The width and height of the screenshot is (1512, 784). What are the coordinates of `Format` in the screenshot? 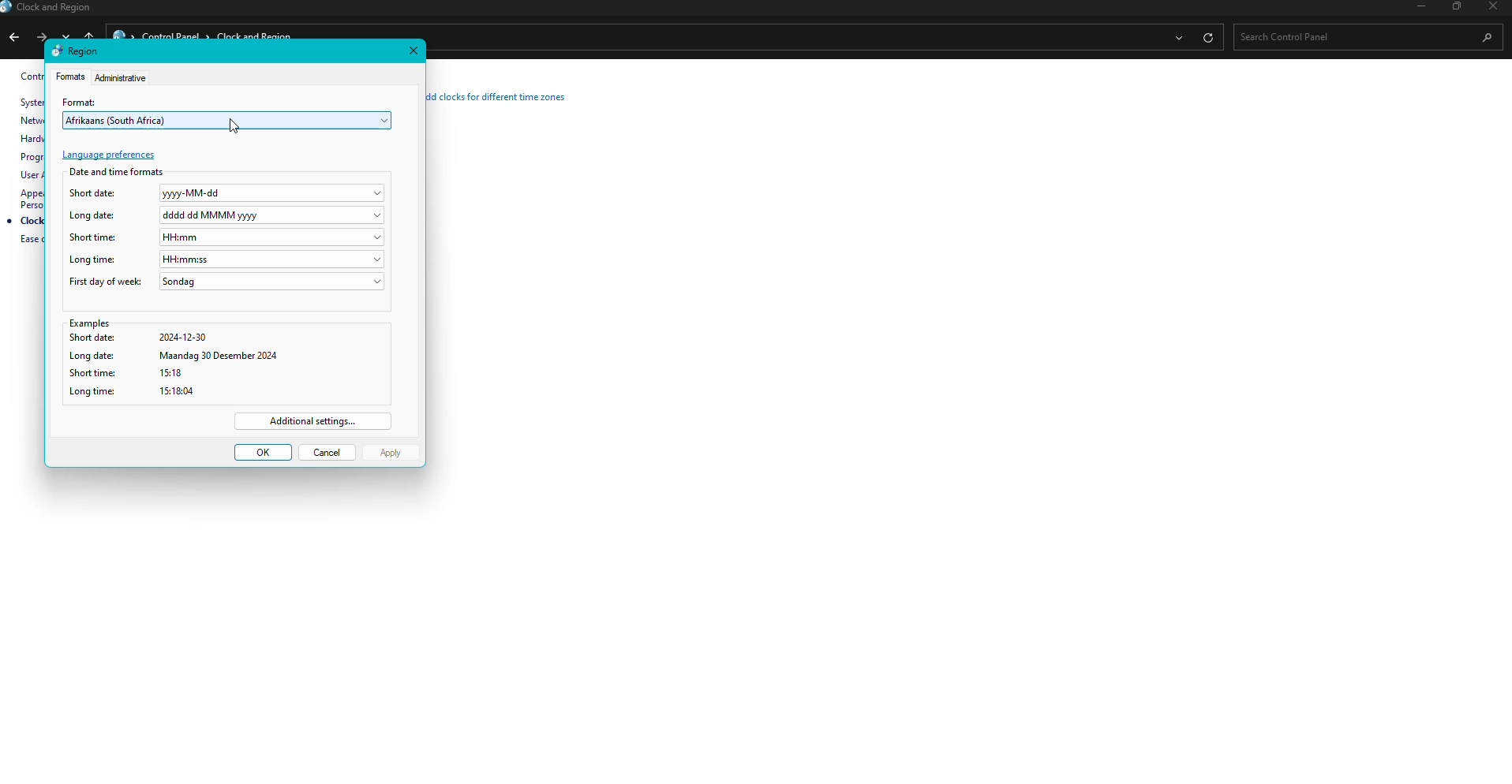 It's located at (70, 77).